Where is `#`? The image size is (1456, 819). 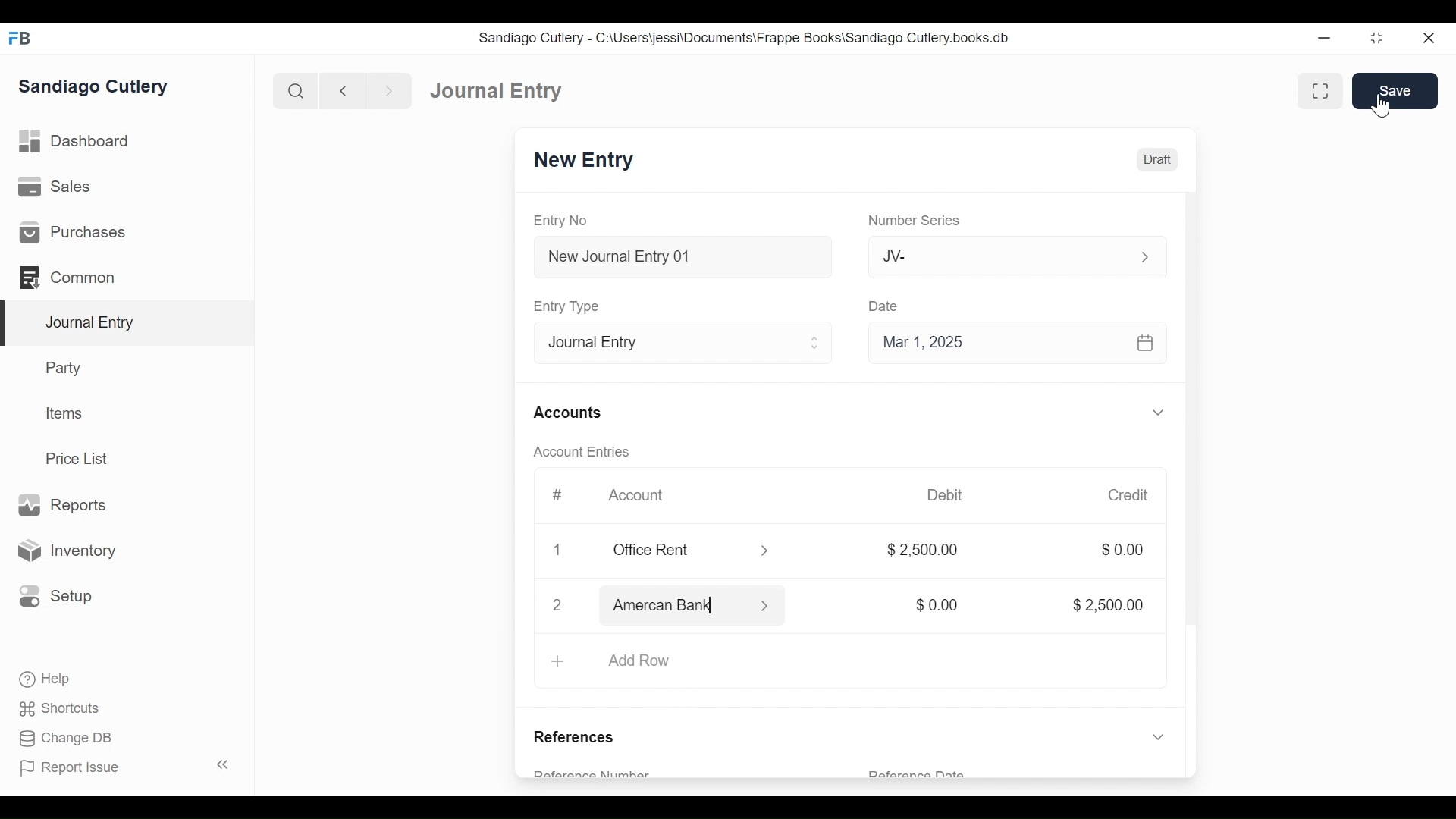
# is located at coordinates (552, 495).